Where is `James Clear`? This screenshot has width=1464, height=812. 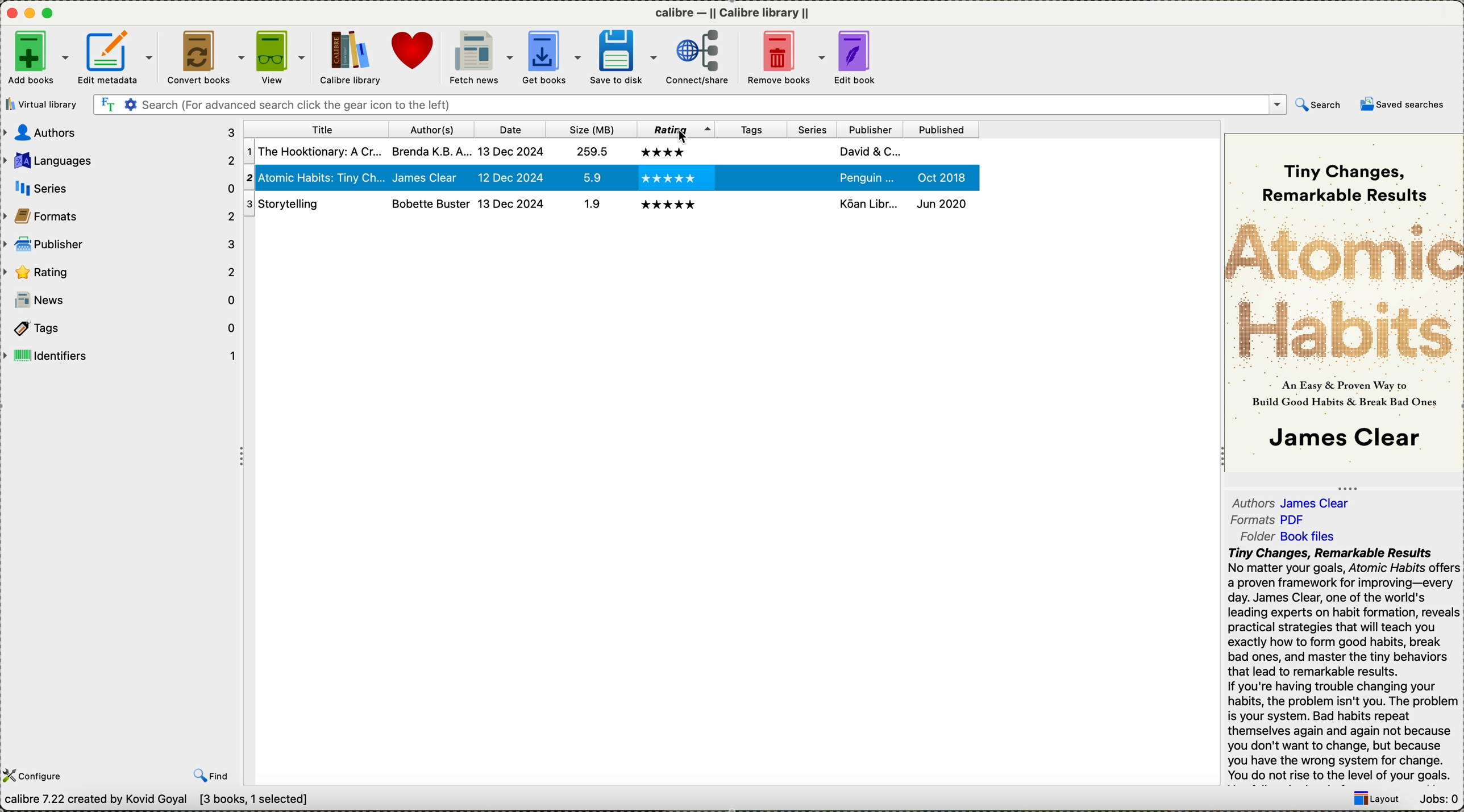 James Clear is located at coordinates (1342, 440).